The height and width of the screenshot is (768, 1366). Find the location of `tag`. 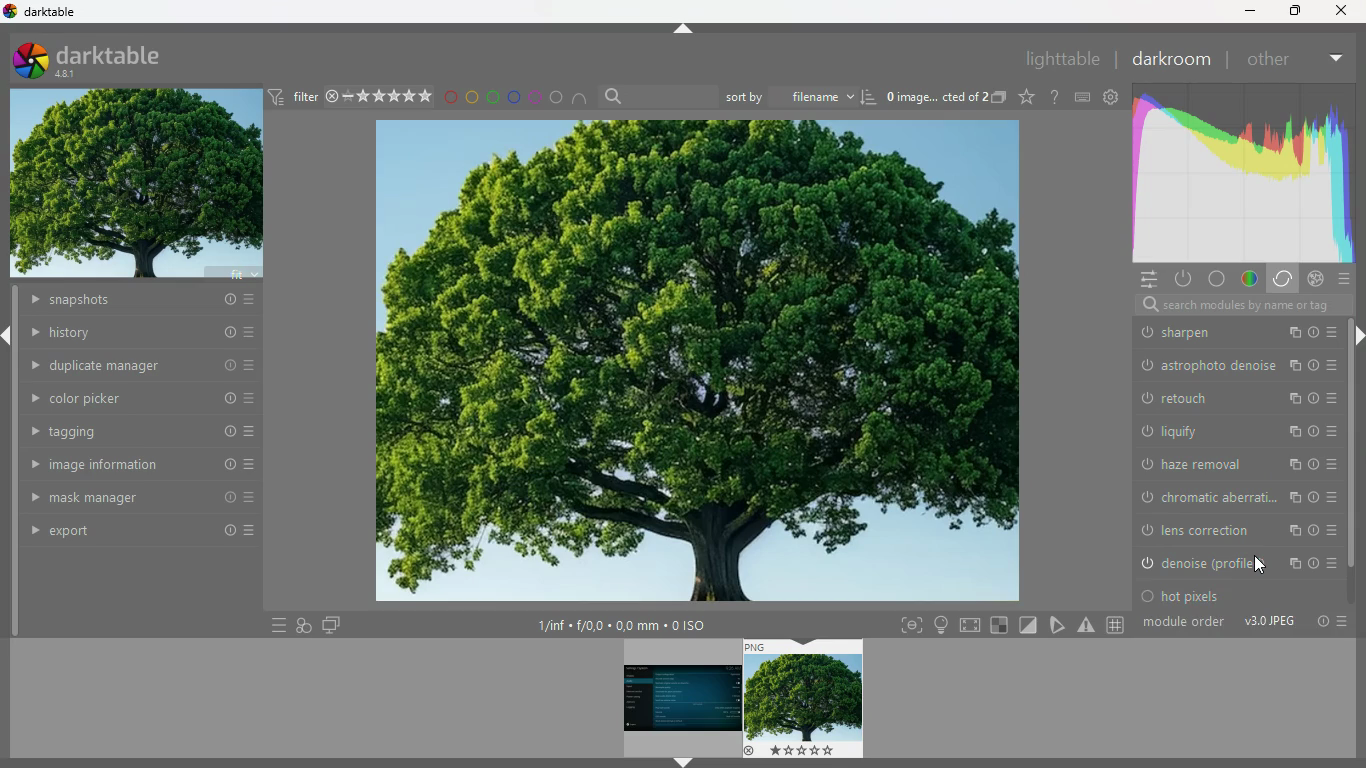

tag is located at coordinates (1056, 624).